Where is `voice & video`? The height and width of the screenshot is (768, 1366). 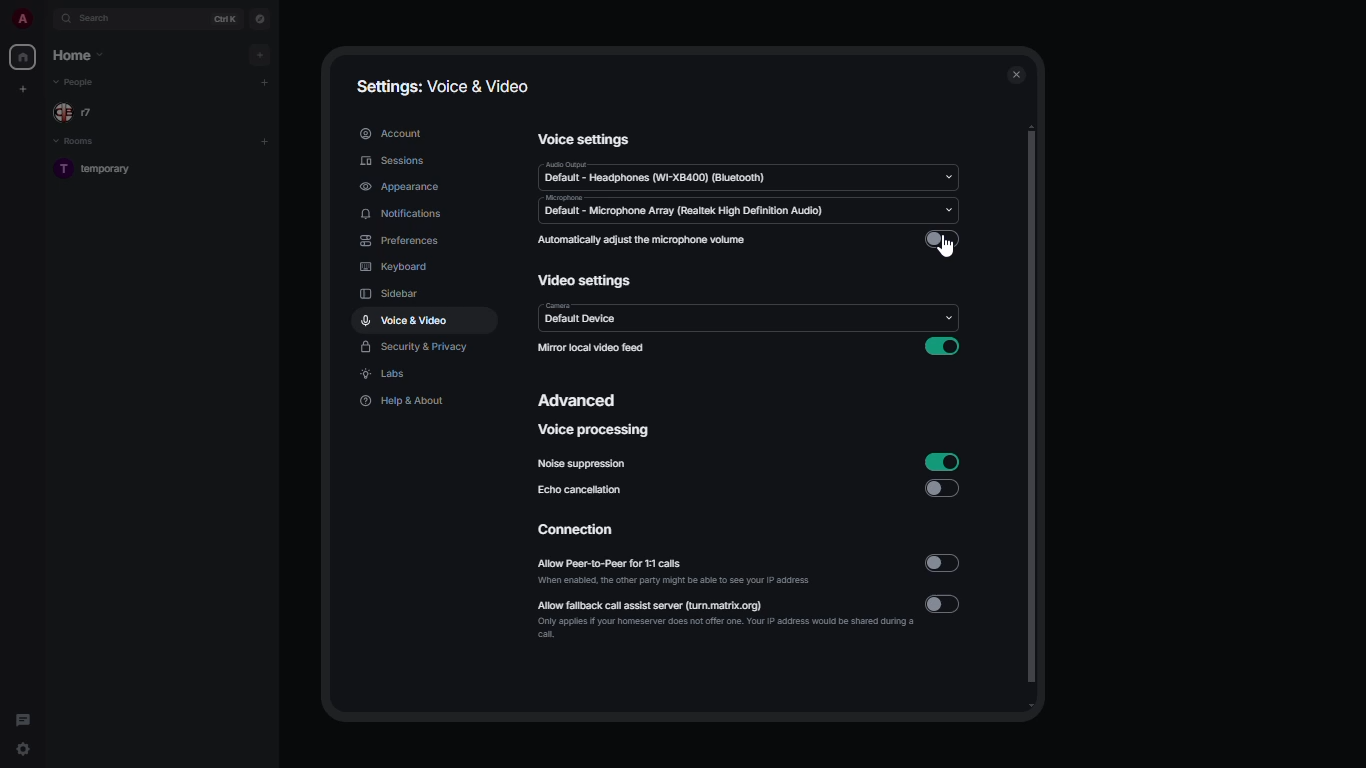 voice & video is located at coordinates (405, 320).